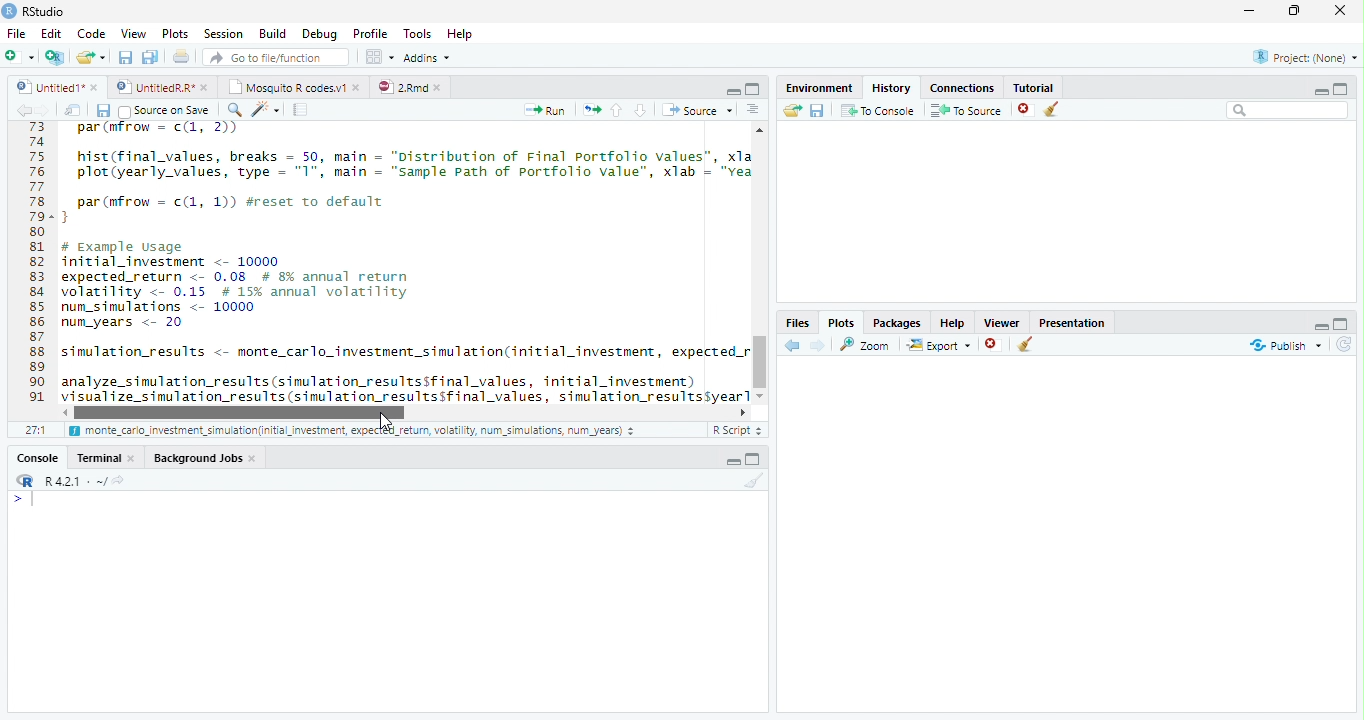  What do you see at coordinates (50, 32) in the screenshot?
I see `Edit` at bounding box center [50, 32].